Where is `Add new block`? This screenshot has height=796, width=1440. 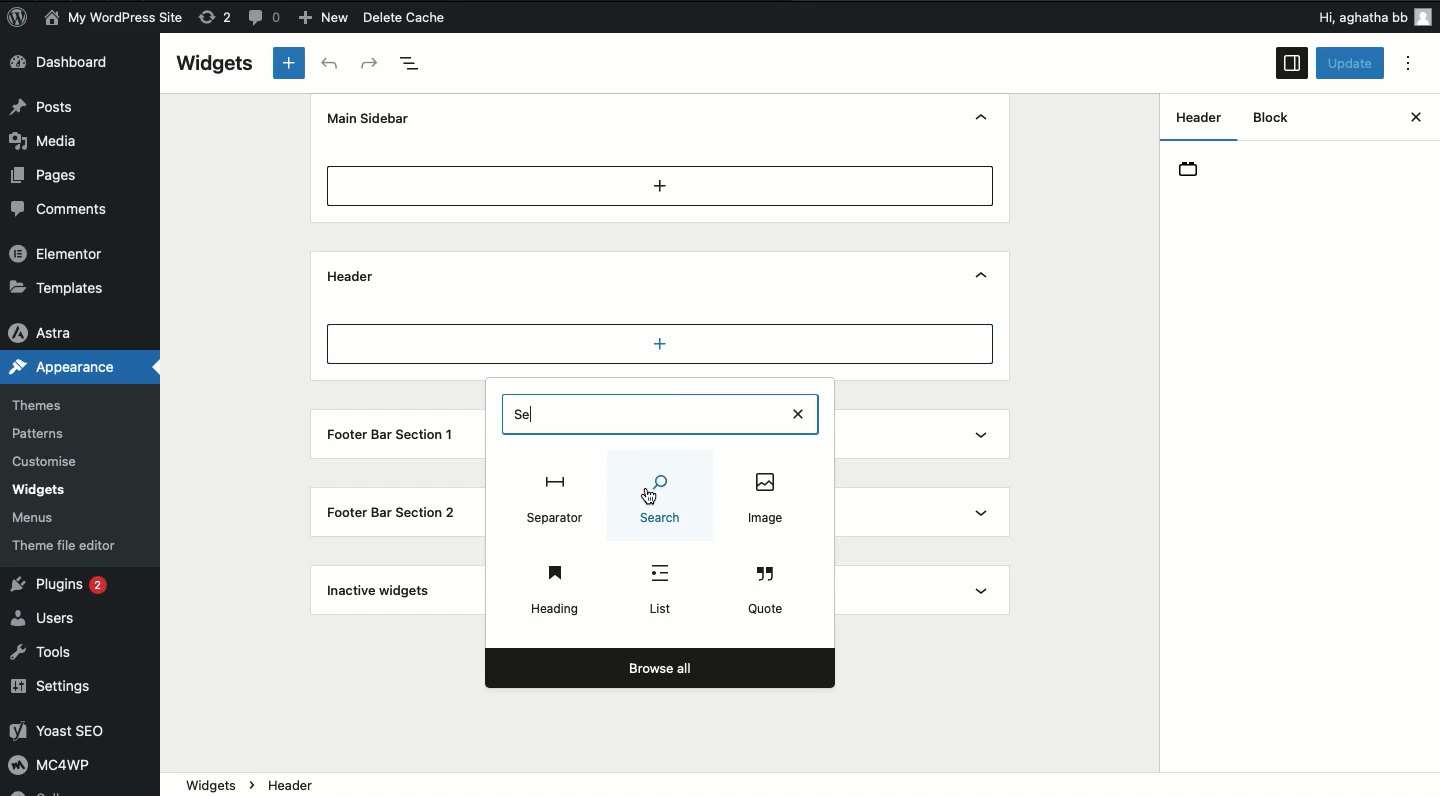 Add new block is located at coordinates (660, 185).